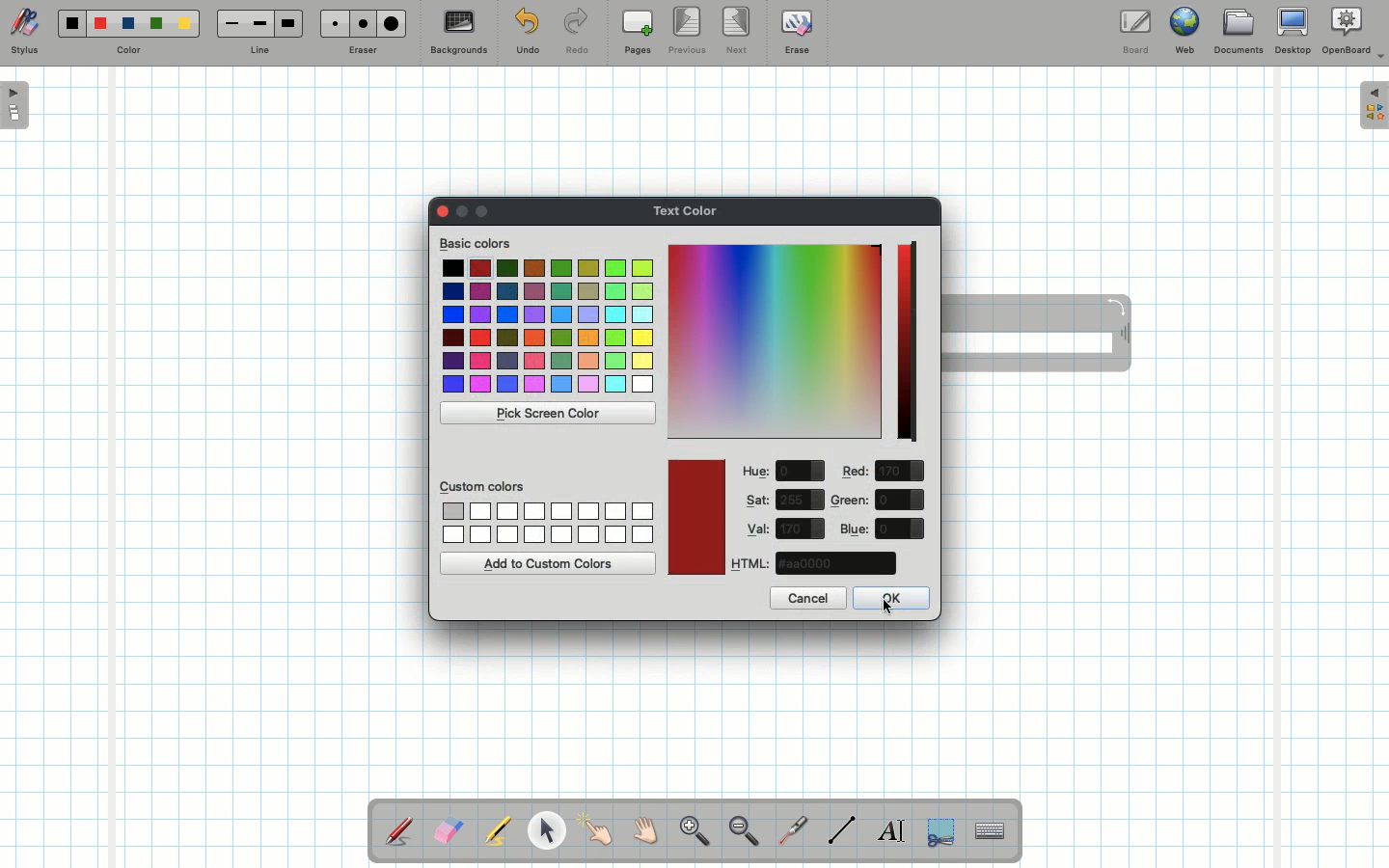  Describe the element at coordinates (362, 52) in the screenshot. I see `Eraser` at that location.